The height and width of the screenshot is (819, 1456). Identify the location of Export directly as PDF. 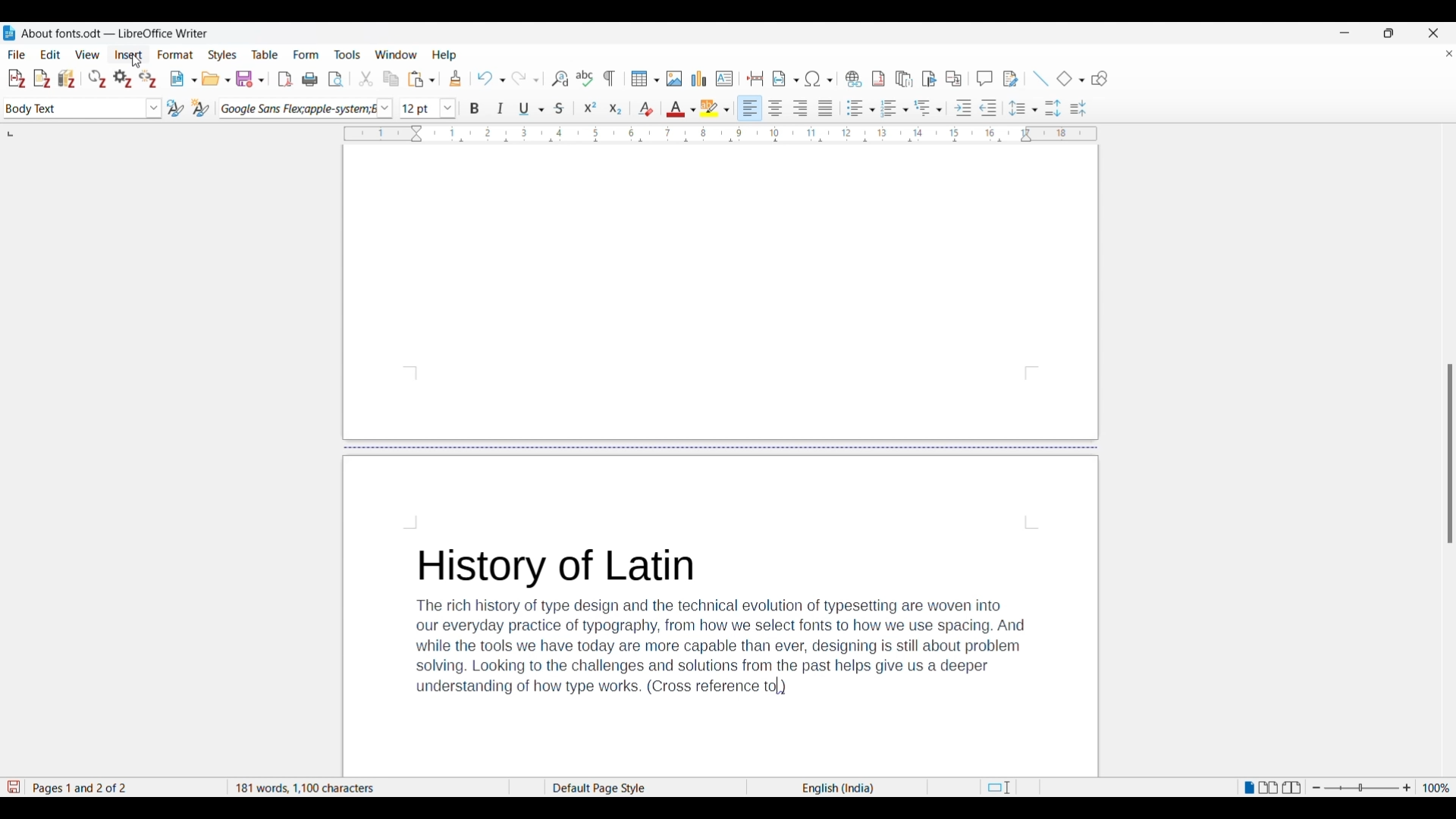
(285, 80).